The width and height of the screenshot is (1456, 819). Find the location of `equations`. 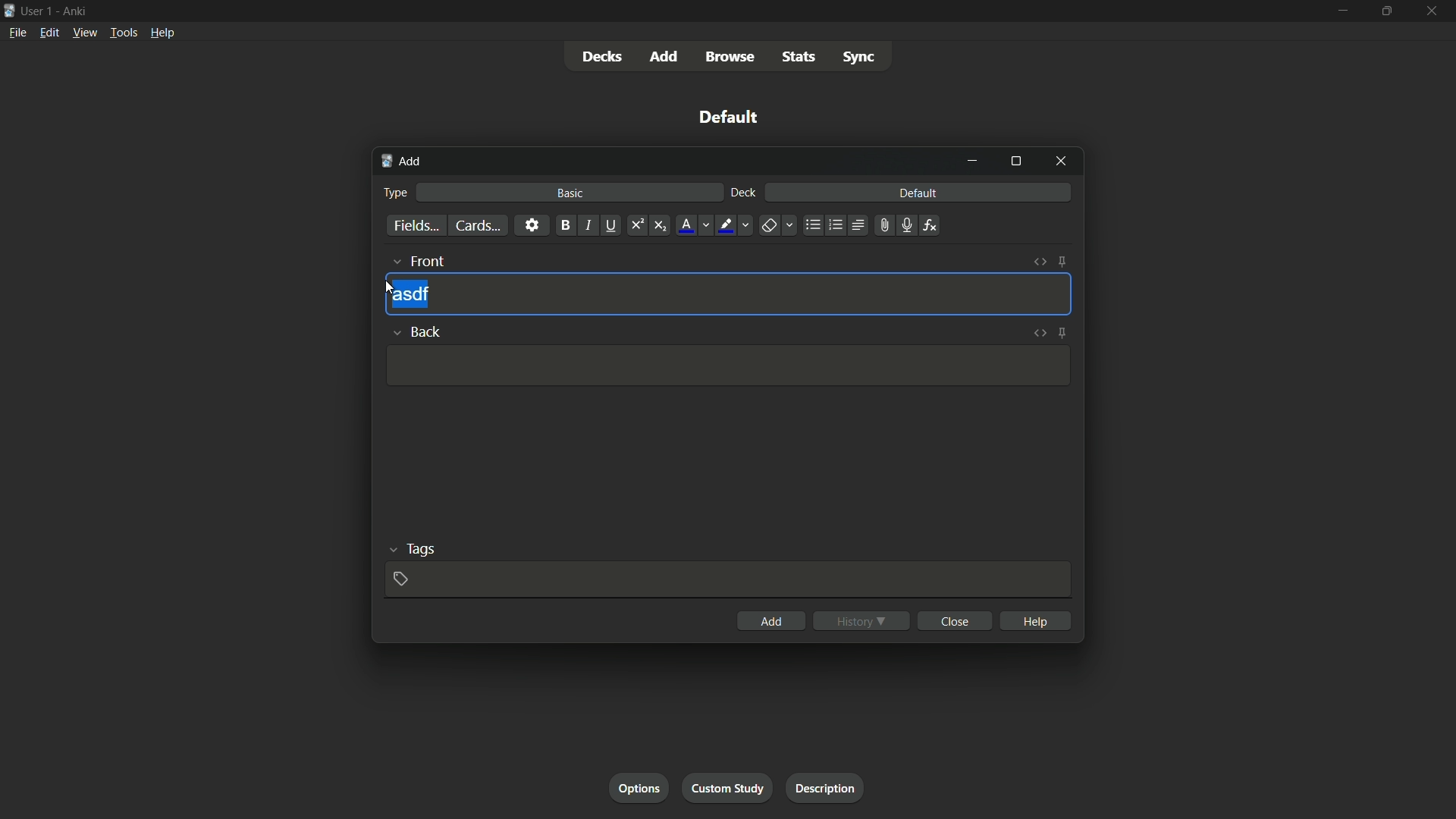

equations is located at coordinates (932, 225).